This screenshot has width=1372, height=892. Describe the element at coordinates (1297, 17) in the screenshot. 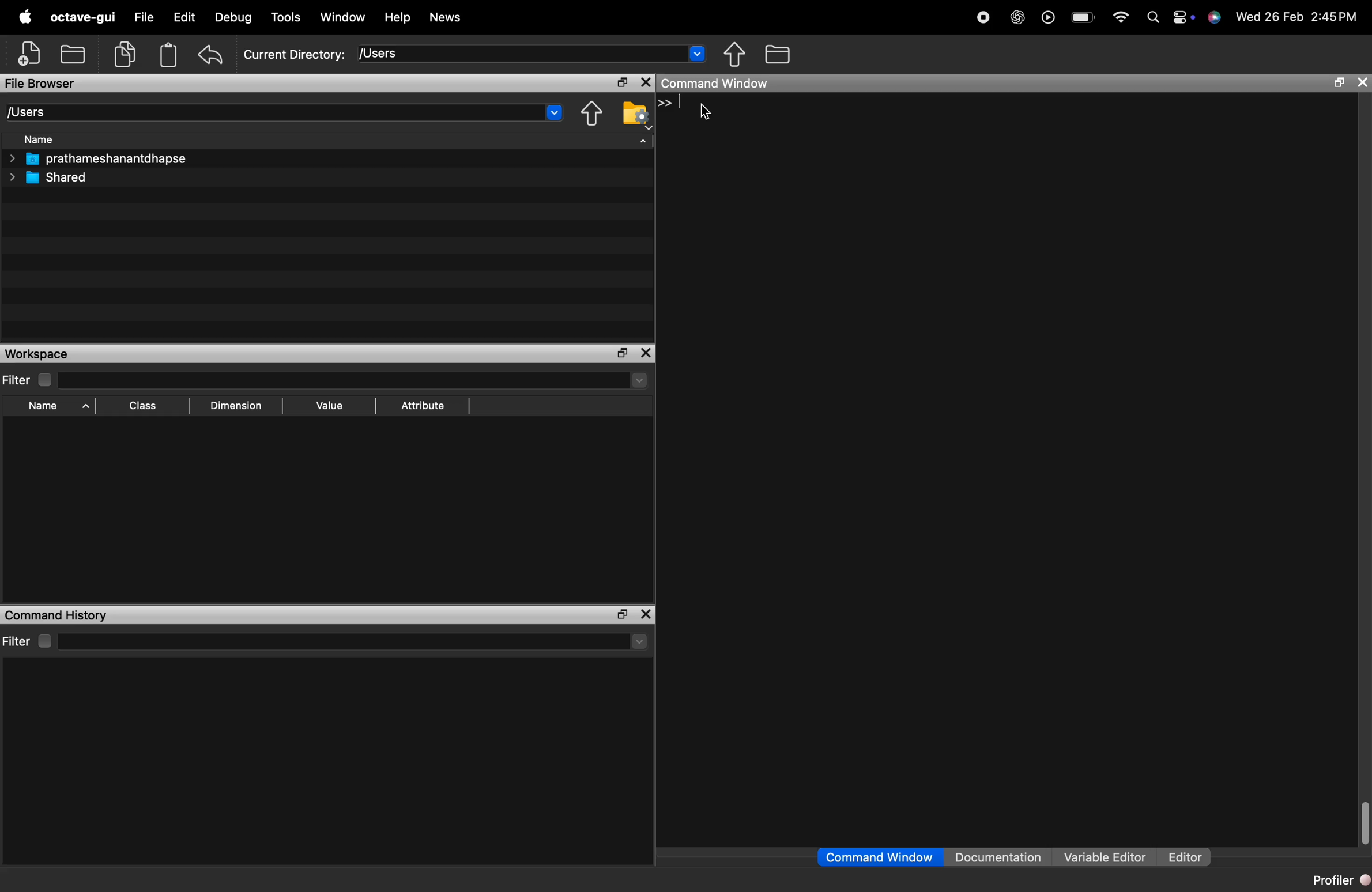

I see `Wed 26 Feb 2:45PM` at that location.